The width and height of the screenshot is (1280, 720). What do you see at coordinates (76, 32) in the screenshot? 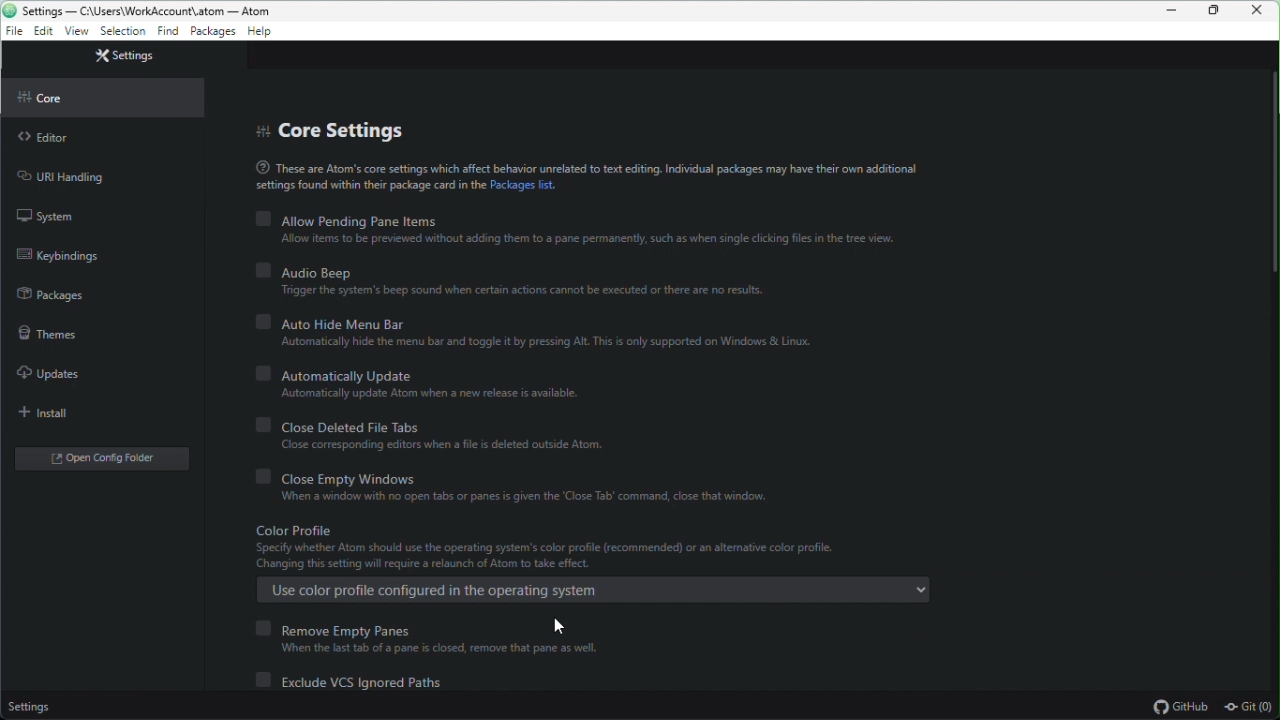
I see `view` at bounding box center [76, 32].